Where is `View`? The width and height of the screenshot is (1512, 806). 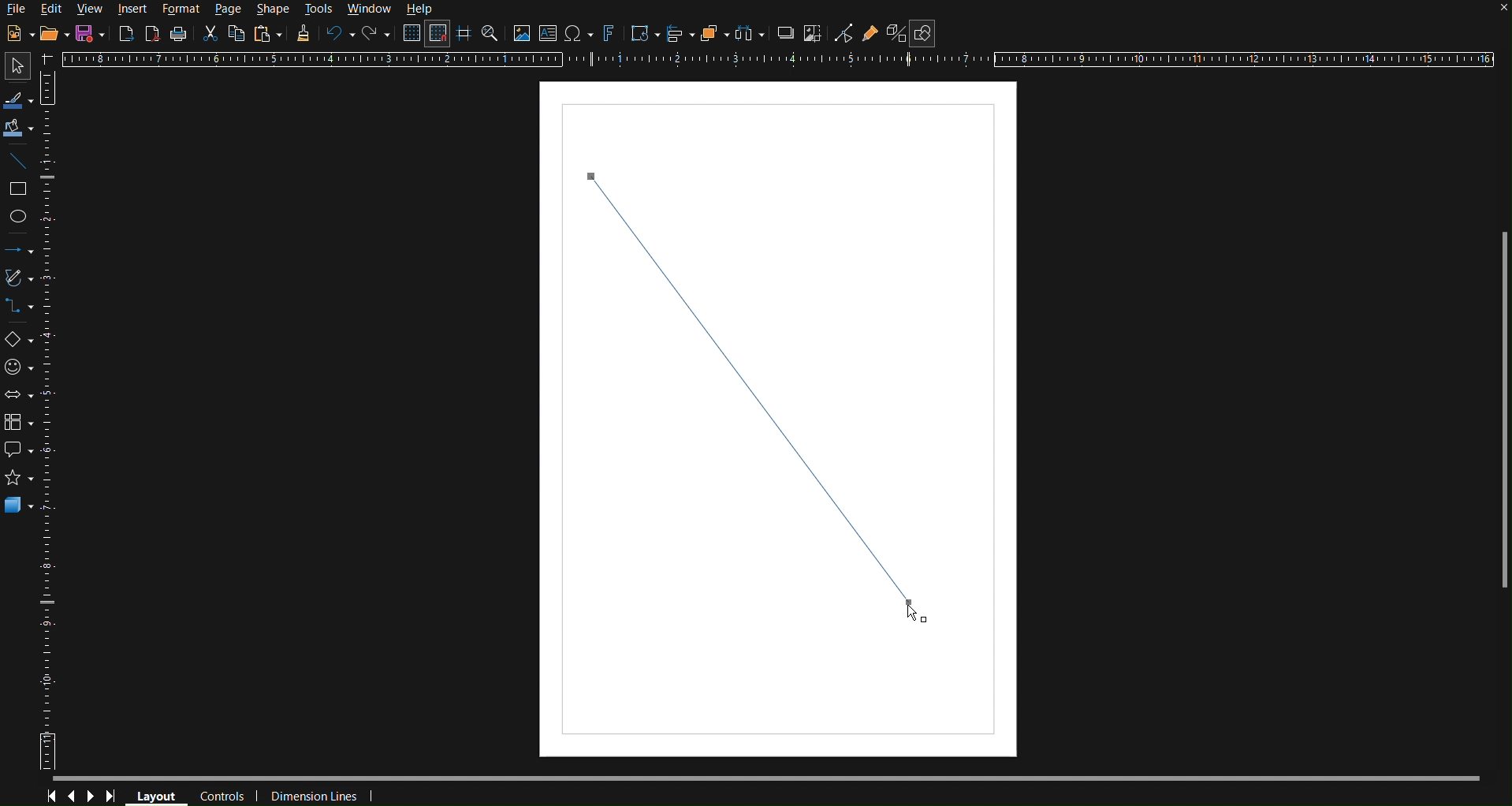 View is located at coordinates (91, 9).